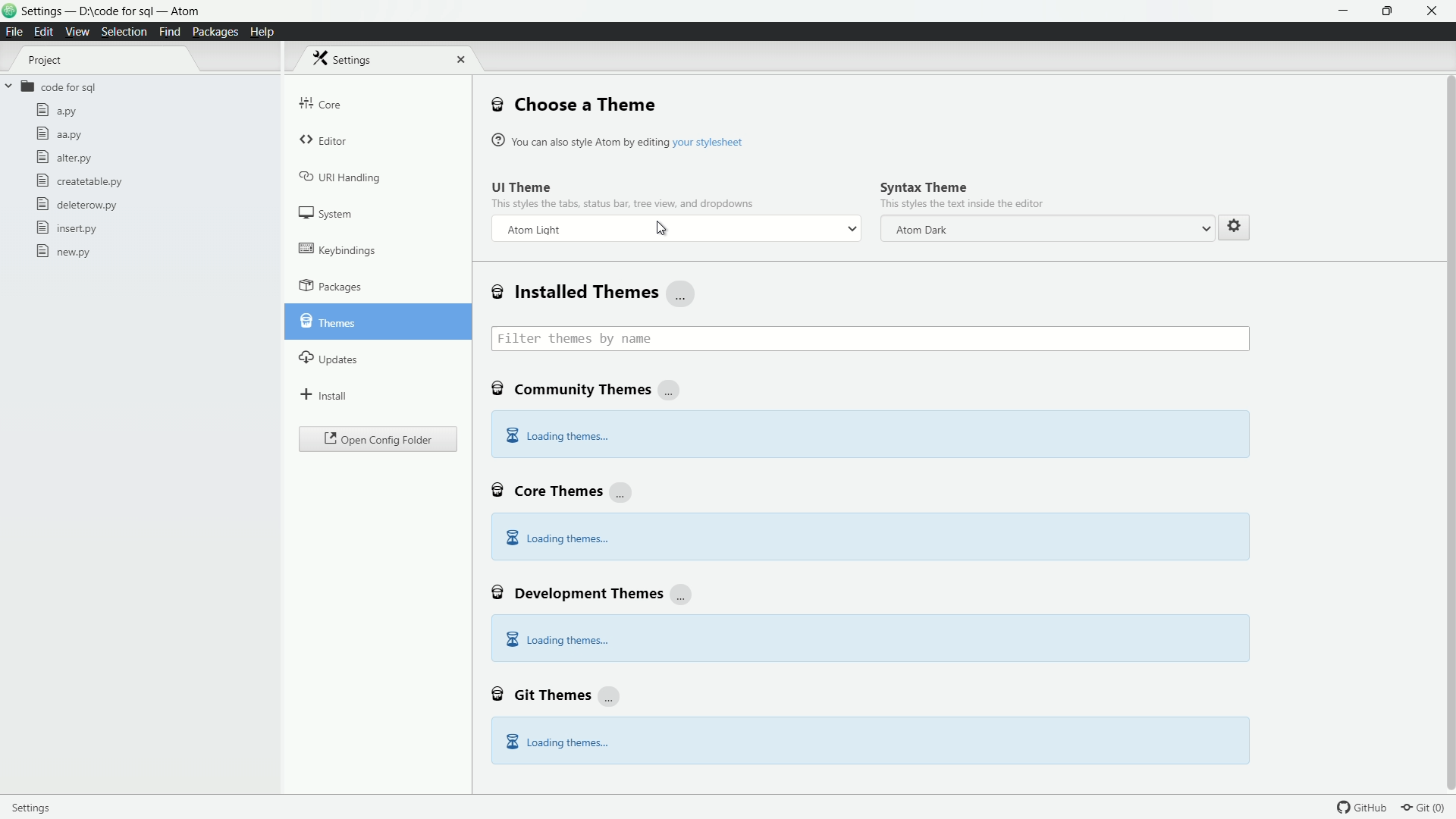 Image resolution: width=1456 pixels, height=819 pixels. Describe the element at coordinates (620, 140) in the screenshot. I see `® You can also style Atom by editing your stylesheet` at that location.